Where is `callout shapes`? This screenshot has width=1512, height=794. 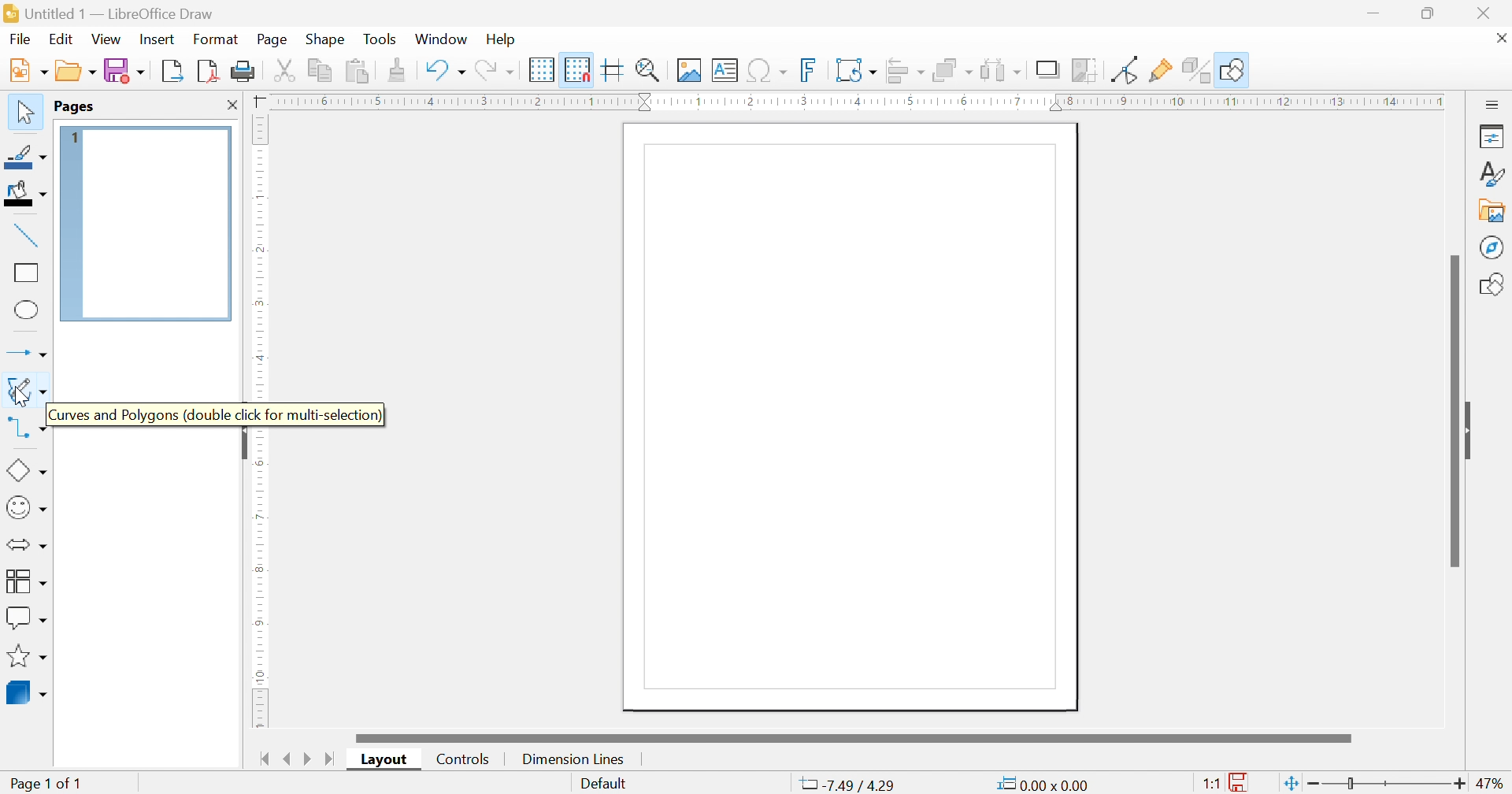 callout shapes is located at coordinates (27, 617).